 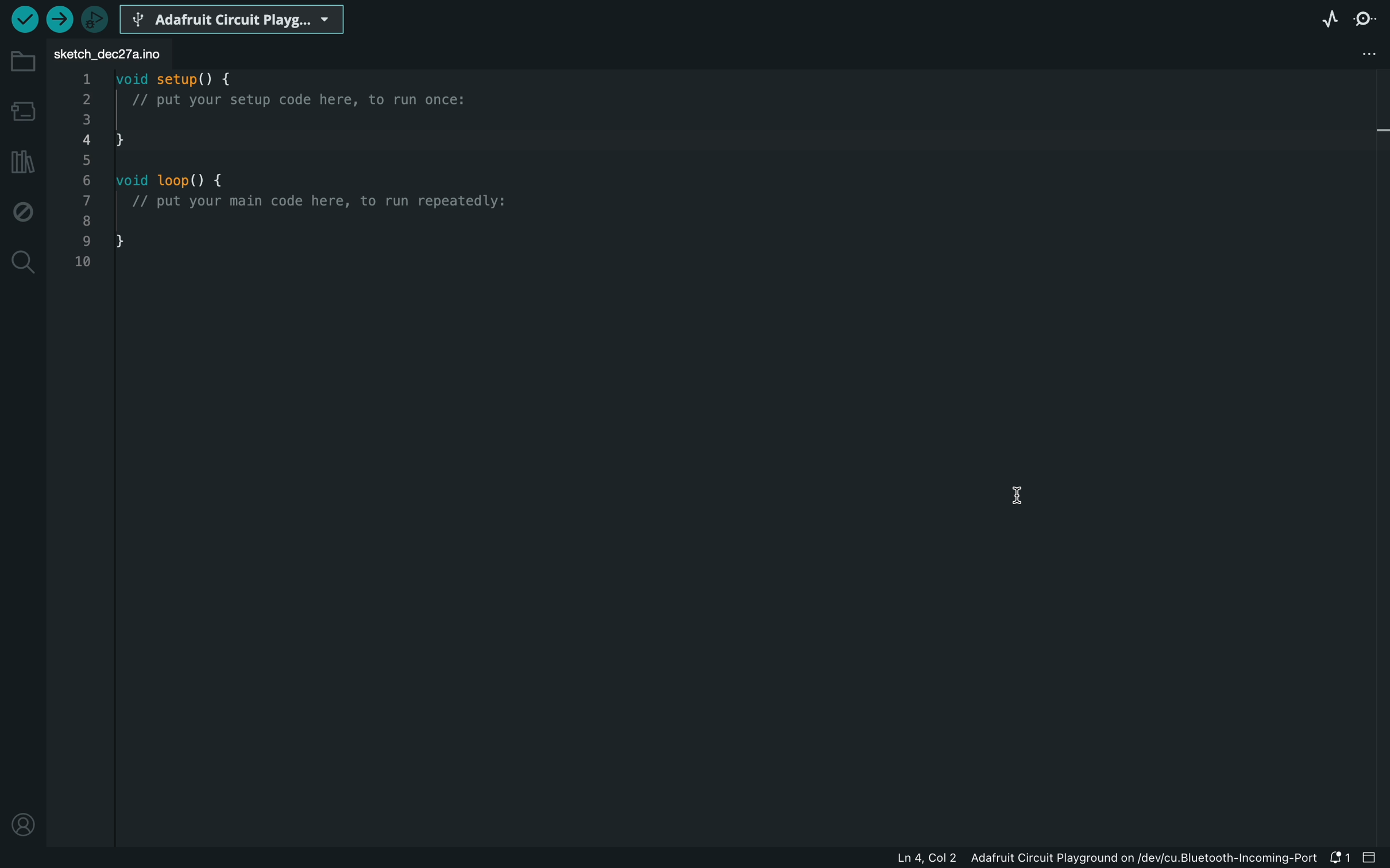 What do you see at coordinates (234, 18) in the screenshot?
I see `BOARD SELECTER` at bounding box center [234, 18].